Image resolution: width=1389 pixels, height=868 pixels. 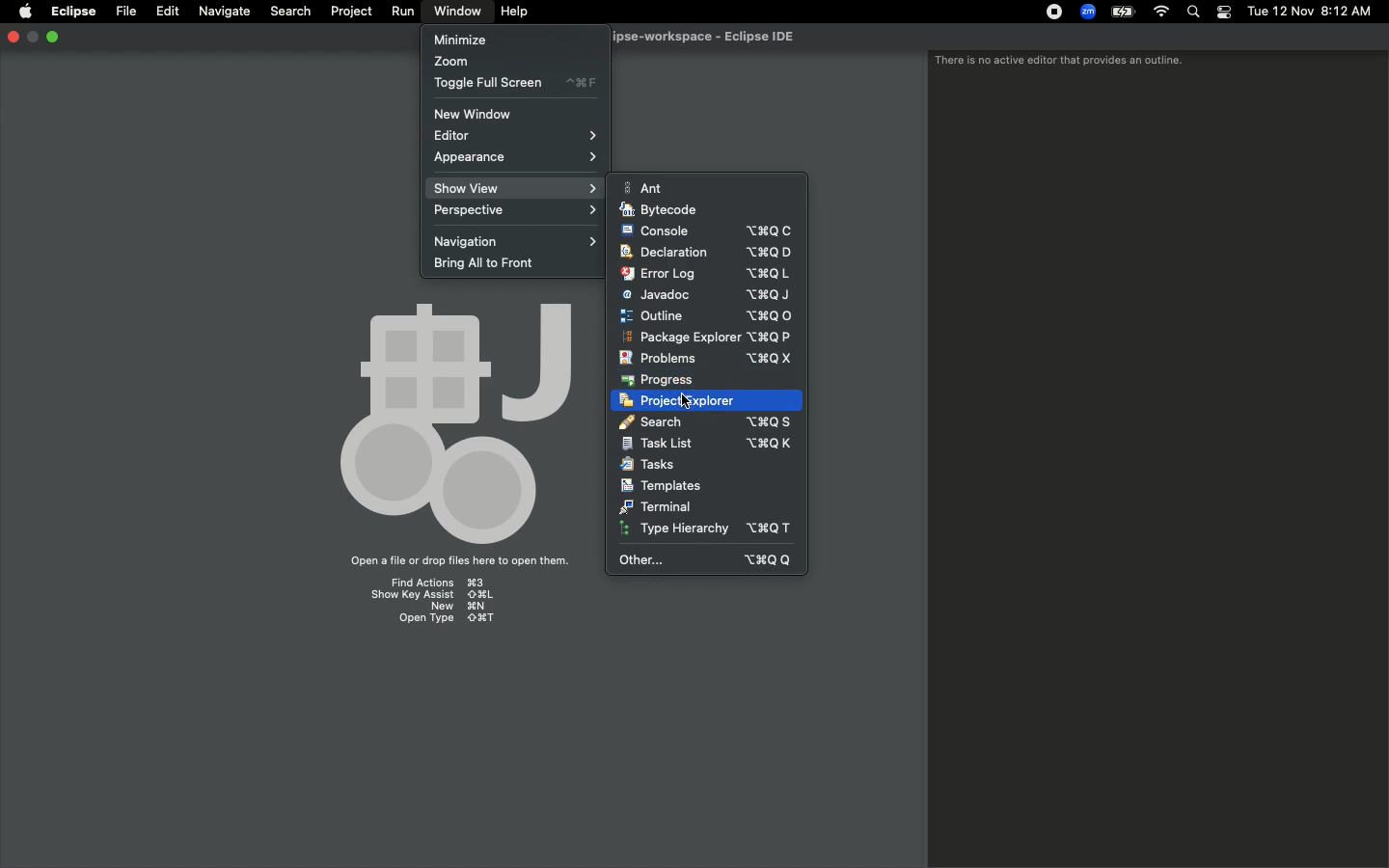 I want to click on Charge, so click(x=1119, y=14).